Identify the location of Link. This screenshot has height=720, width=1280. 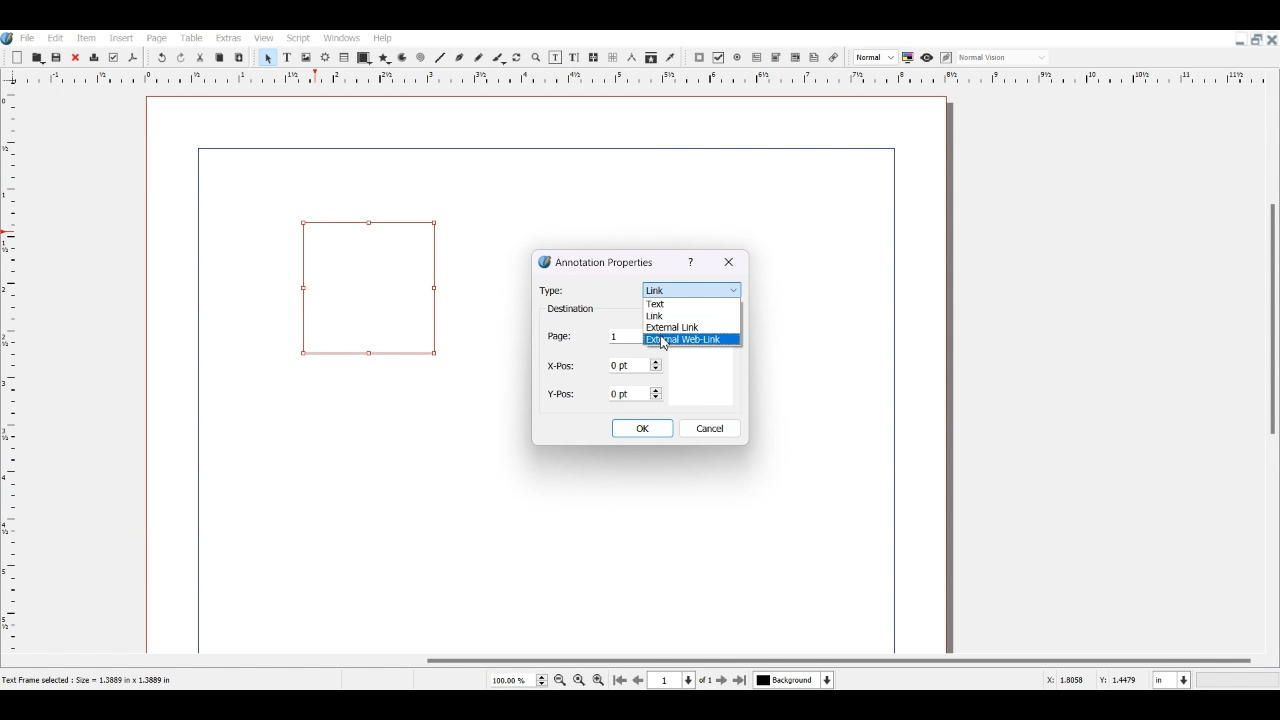
(671, 316).